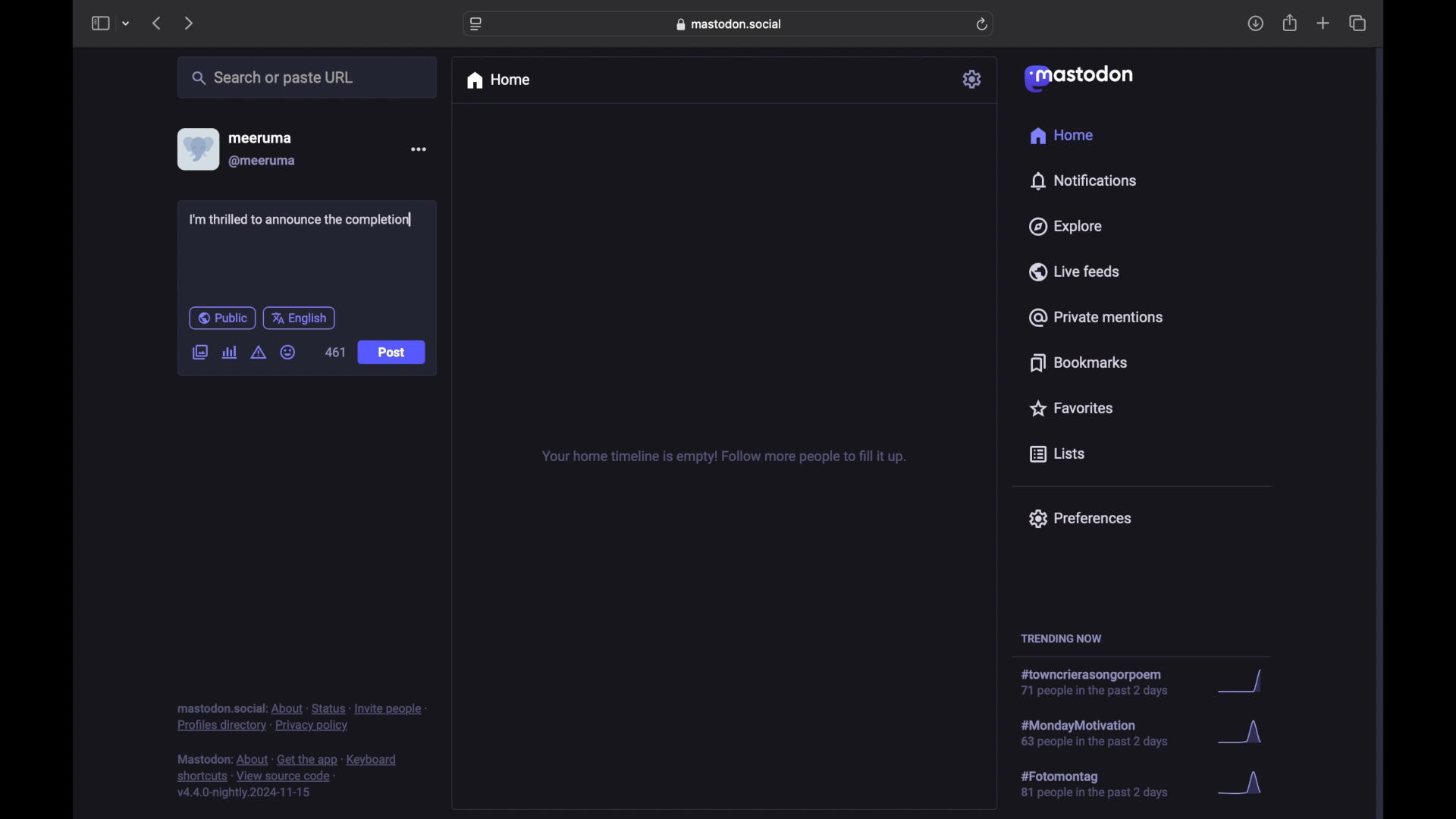  What do you see at coordinates (156, 23) in the screenshot?
I see `previous` at bounding box center [156, 23].